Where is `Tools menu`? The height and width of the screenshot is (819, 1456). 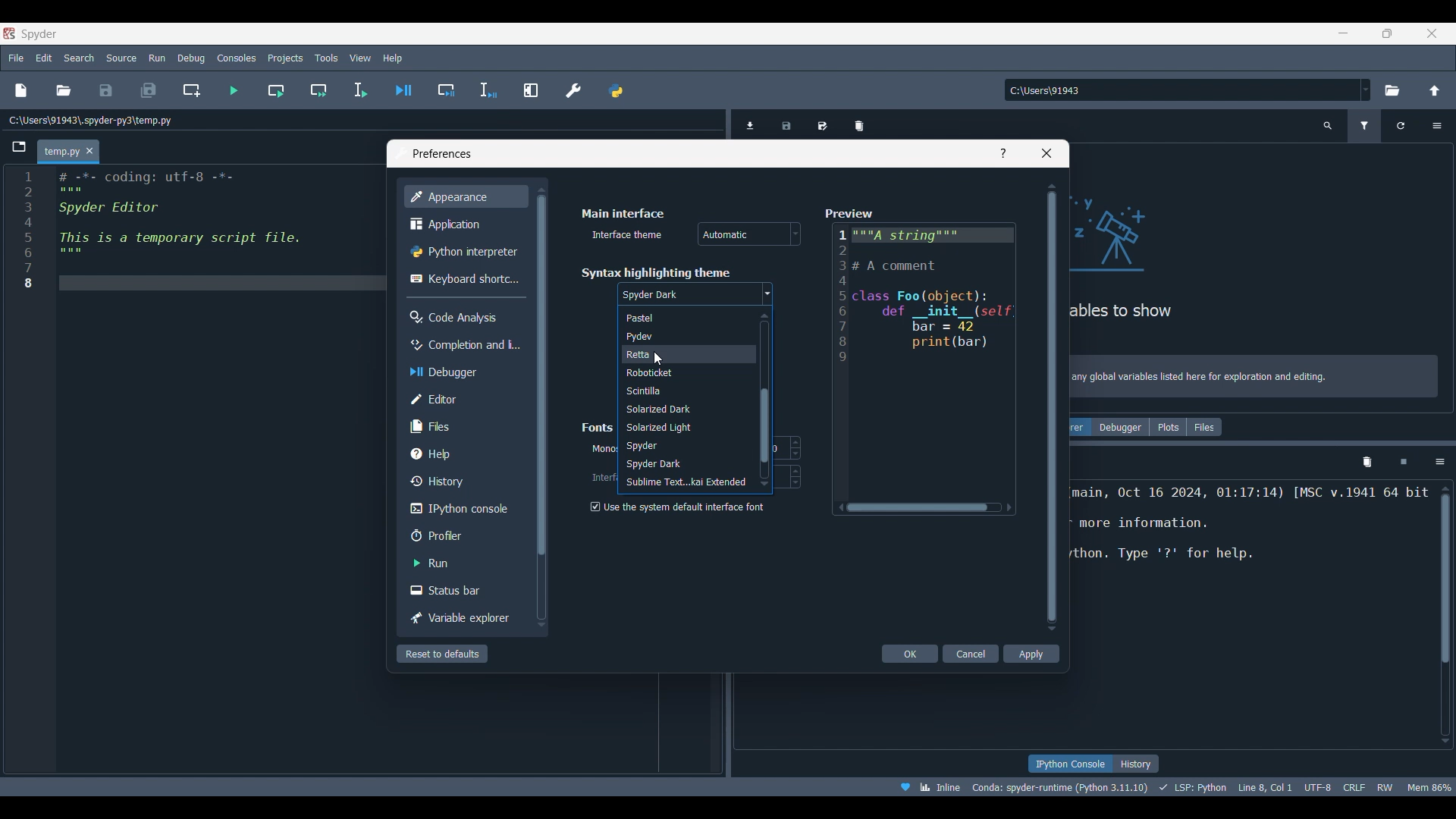
Tools menu is located at coordinates (325, 58).